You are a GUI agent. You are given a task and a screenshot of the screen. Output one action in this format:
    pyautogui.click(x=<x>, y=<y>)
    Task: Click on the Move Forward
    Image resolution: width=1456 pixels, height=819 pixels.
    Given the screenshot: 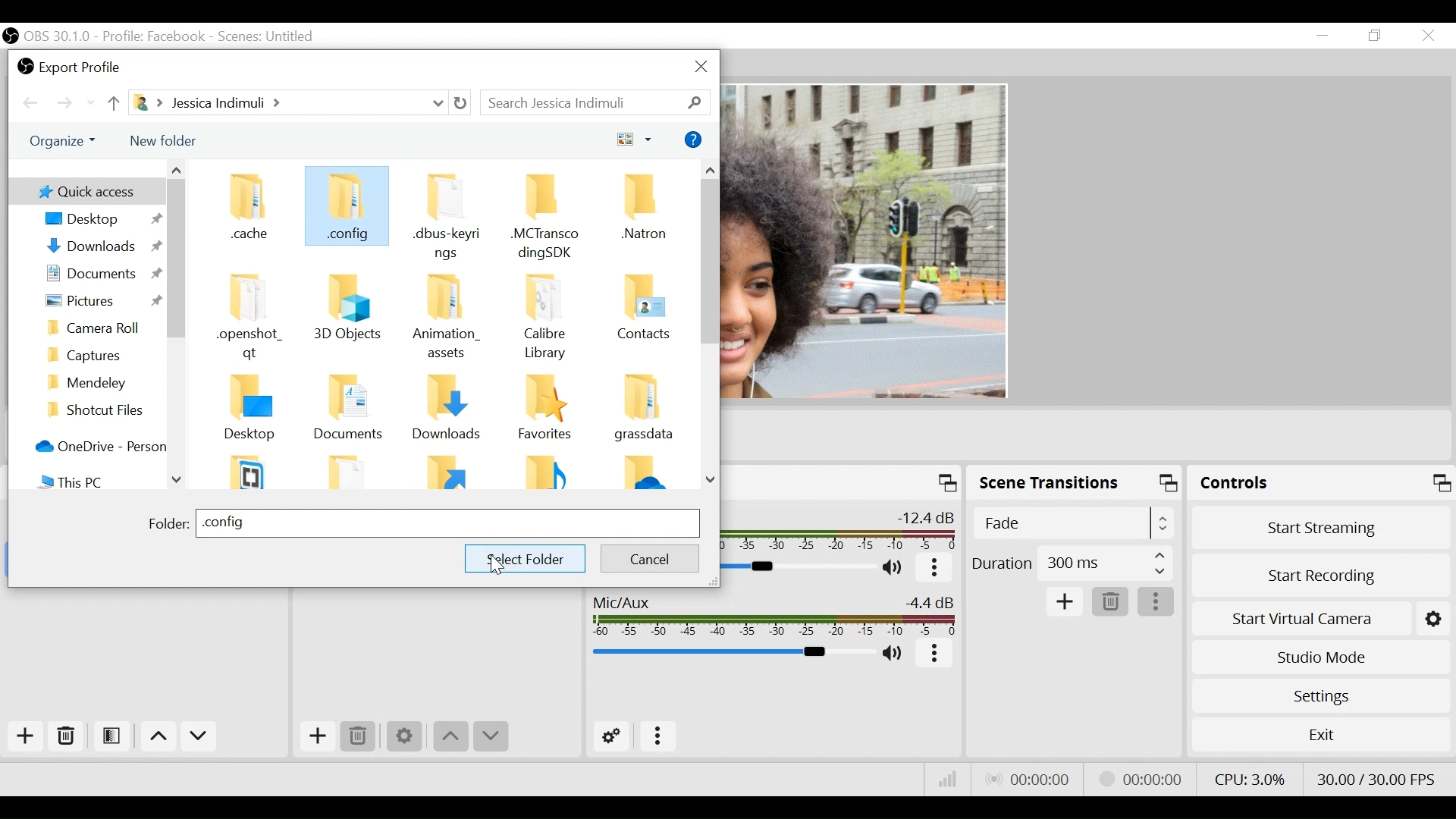 What is the action you would take?
    pyautogui.click(x=71, y=104)
    